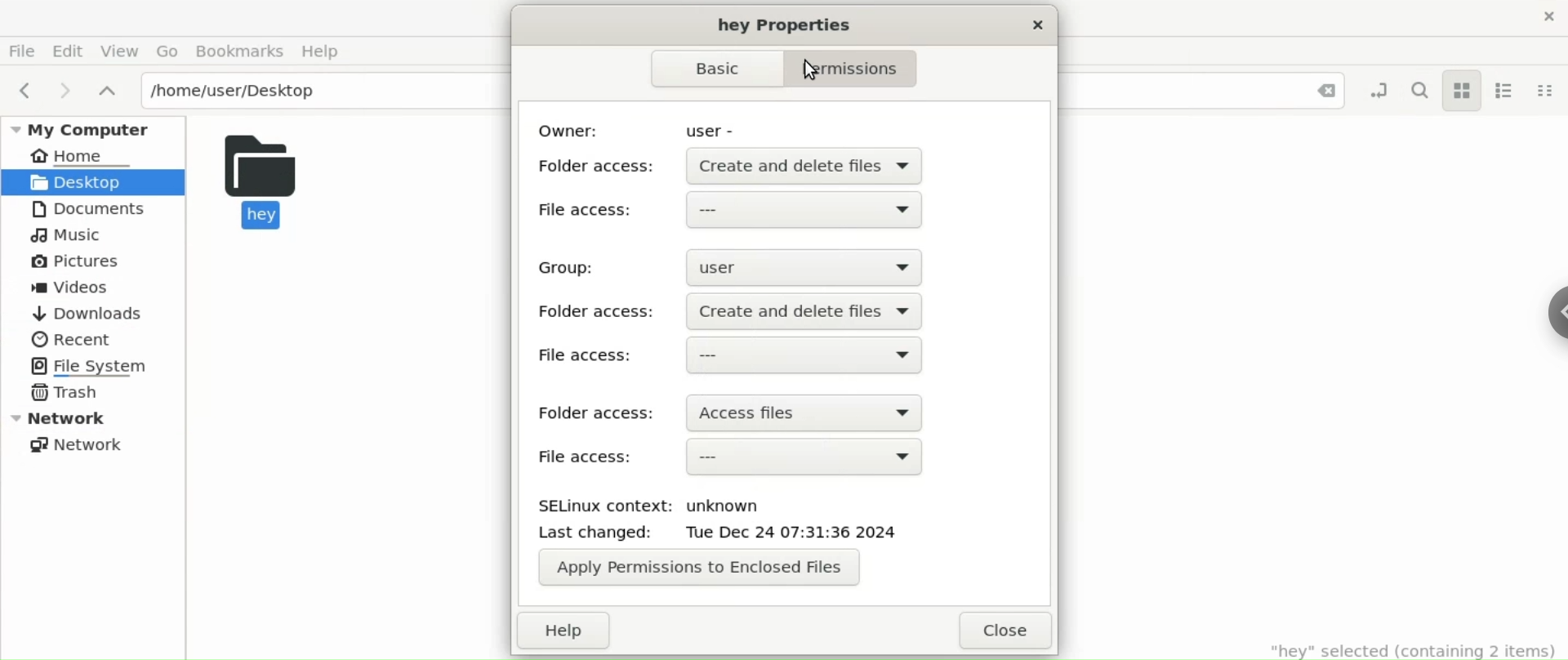  What do you see at coordinates (824, 76) in the screenshot?
I see `Cursor` at bounding box center [824, 76].